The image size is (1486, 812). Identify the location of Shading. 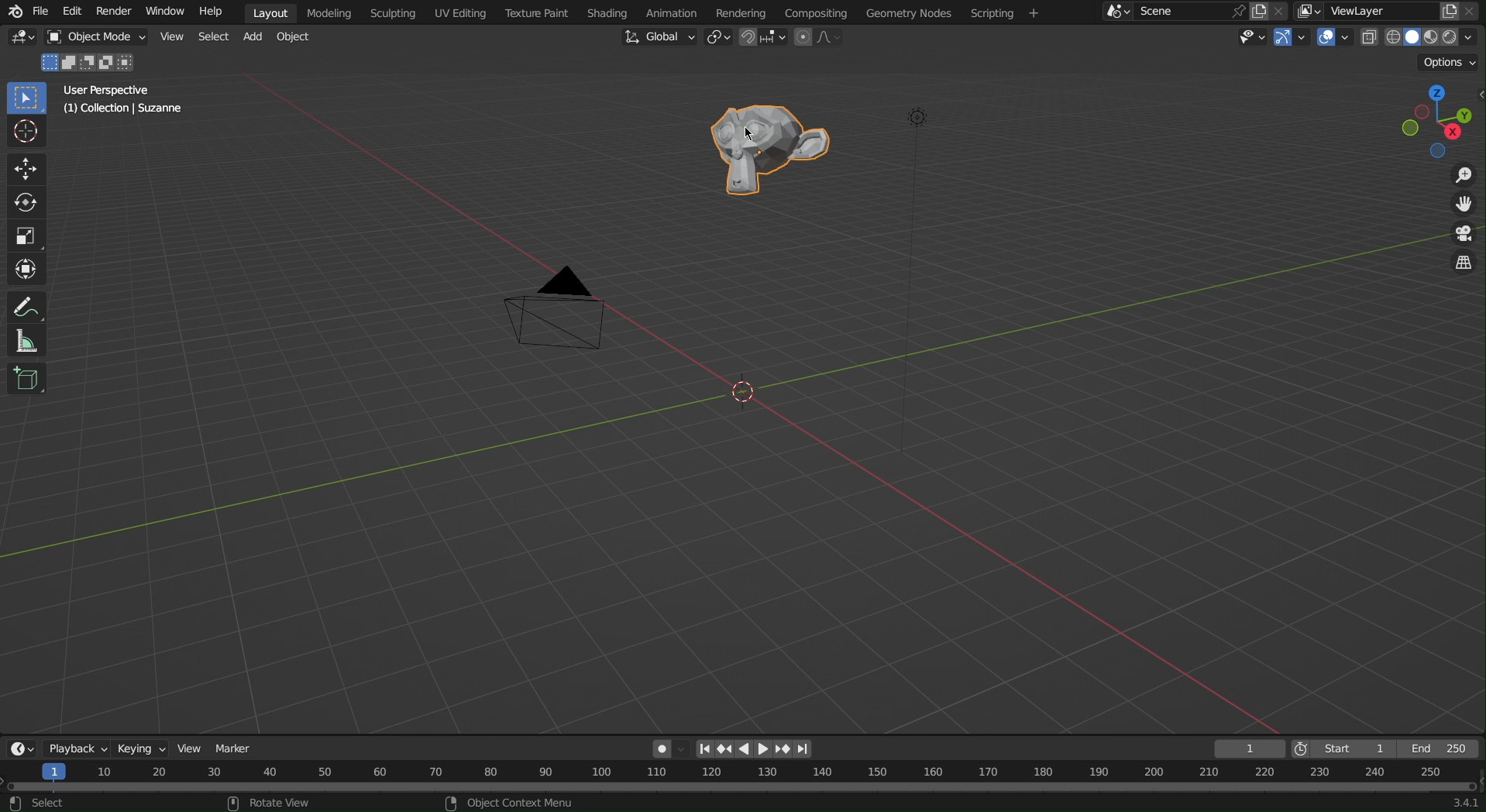
(608, 12).